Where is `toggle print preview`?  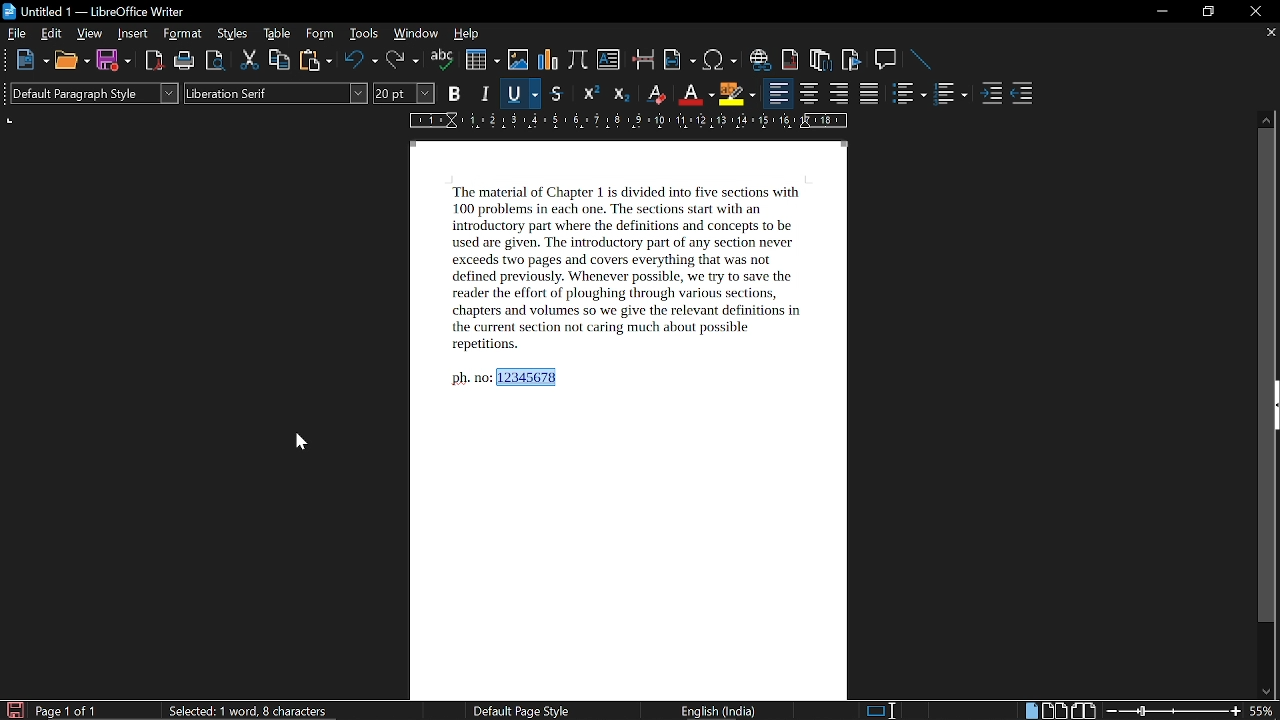
toggle print preview is located at coordinates (214, 60).